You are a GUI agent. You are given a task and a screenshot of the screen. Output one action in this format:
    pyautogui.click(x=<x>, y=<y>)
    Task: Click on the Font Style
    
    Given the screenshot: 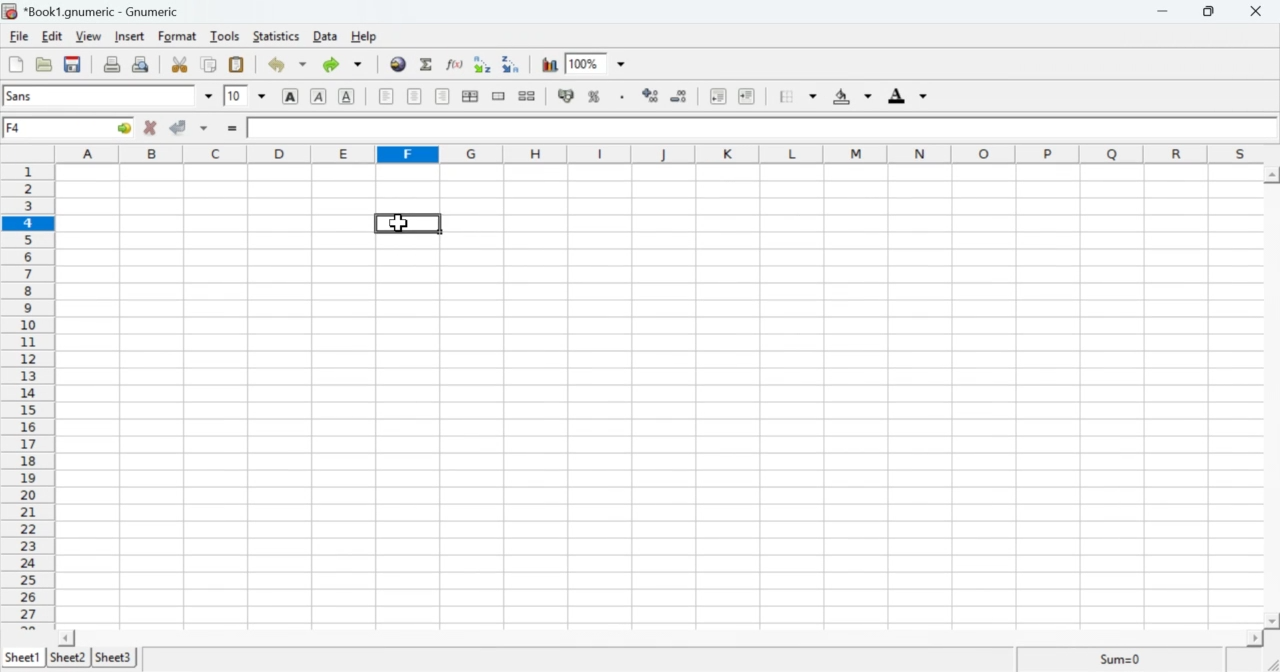 What is the action you would take?
    pyautogui.click(x=101, y=96)
    